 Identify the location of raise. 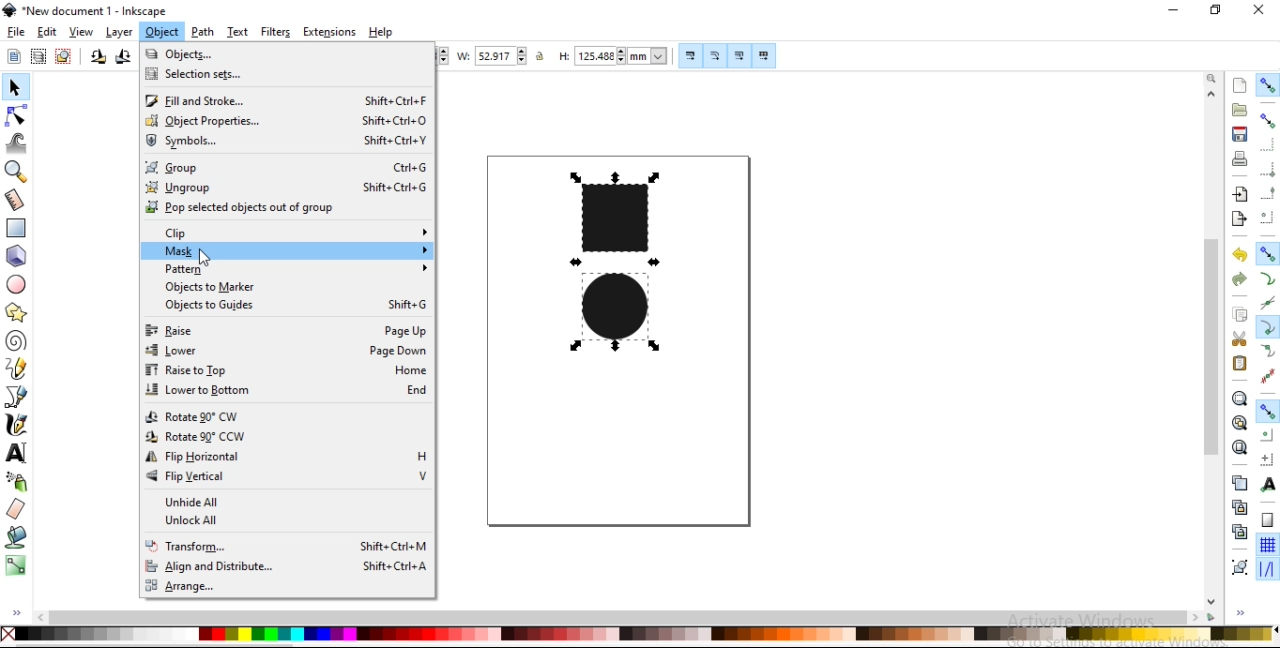
(285, 330).